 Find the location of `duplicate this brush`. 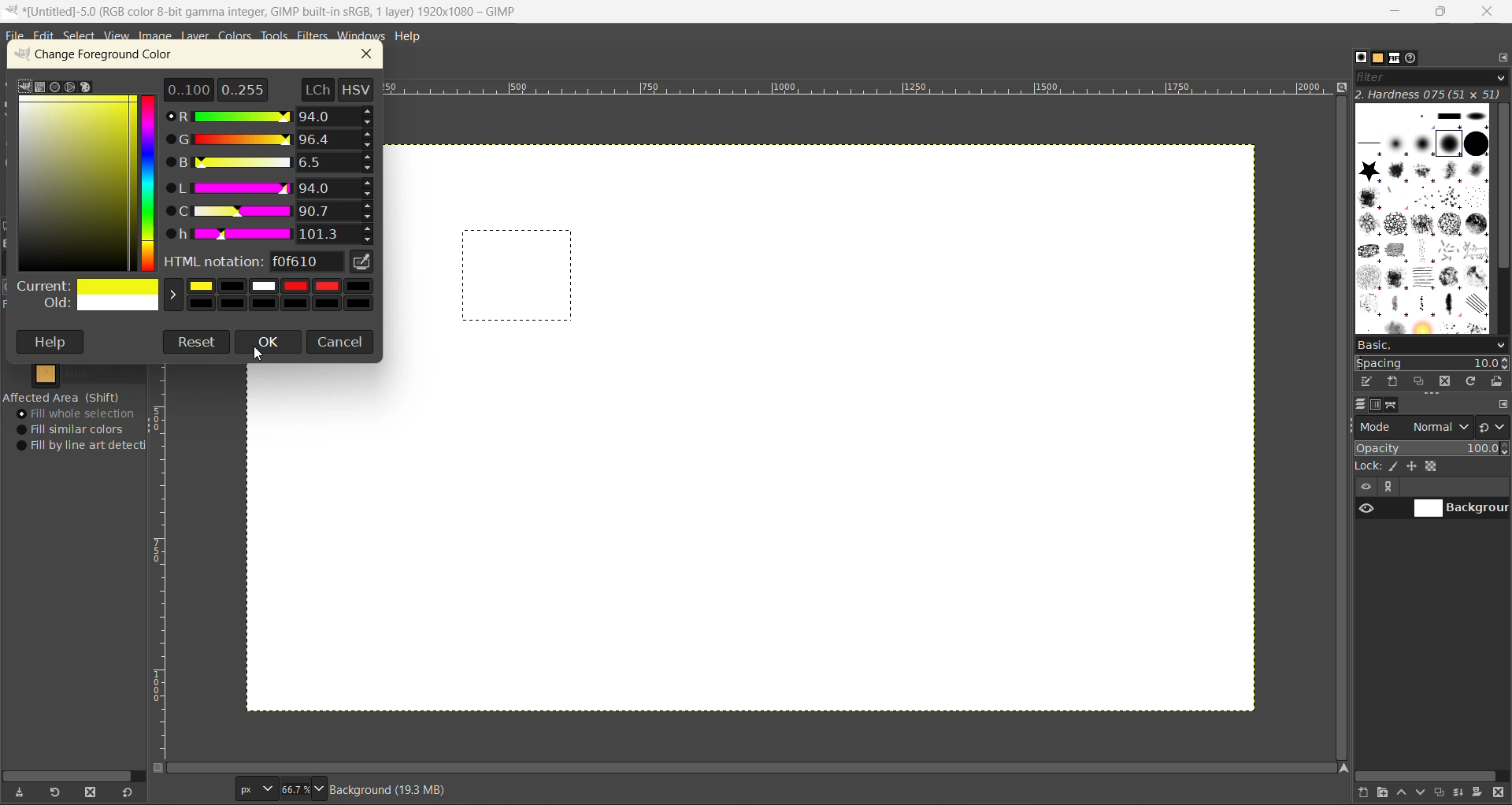

duplicate this brush is located at coordinates (1421, 382).